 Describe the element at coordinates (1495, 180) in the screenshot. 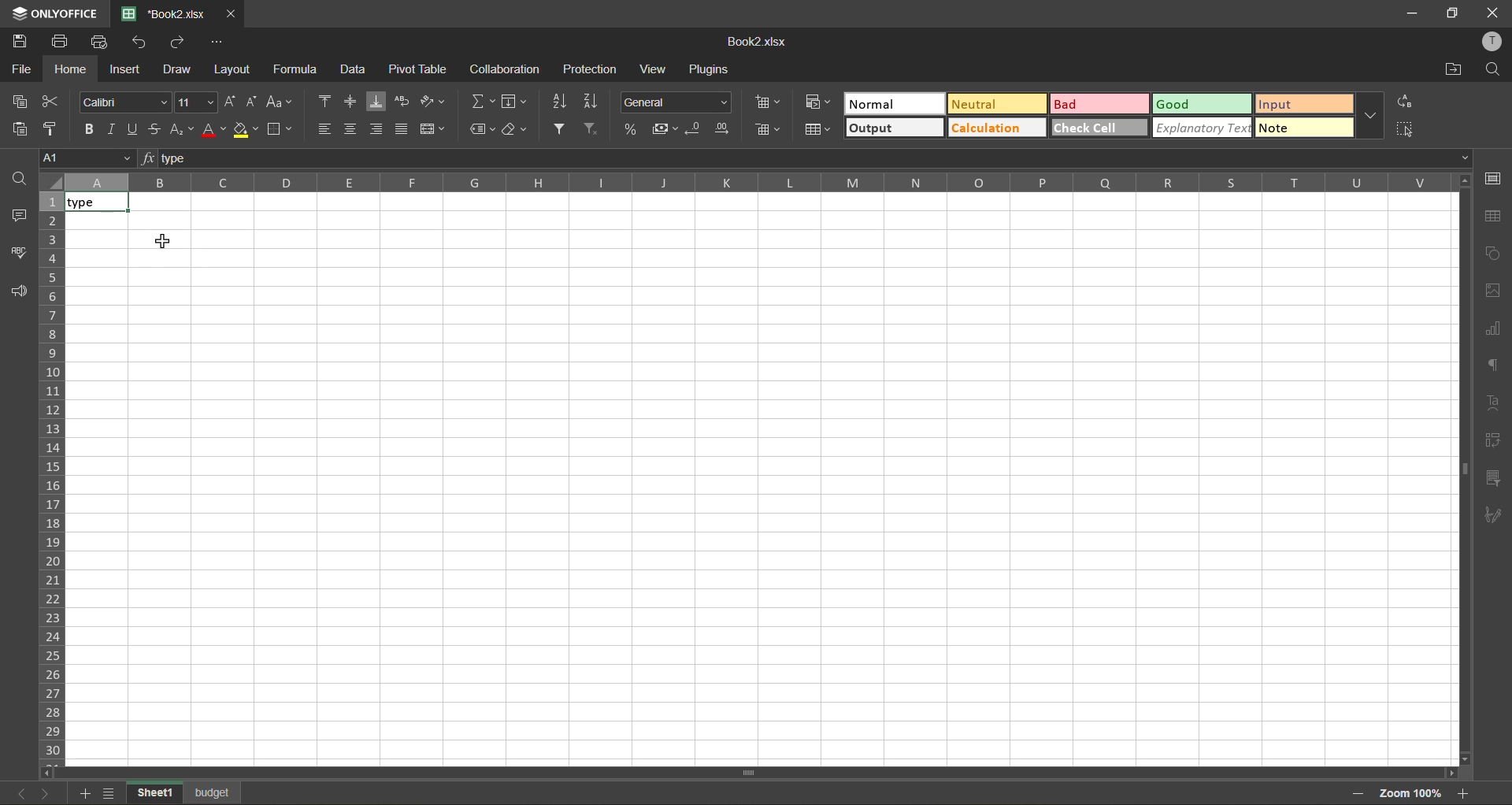

I see `call settings` at that location.